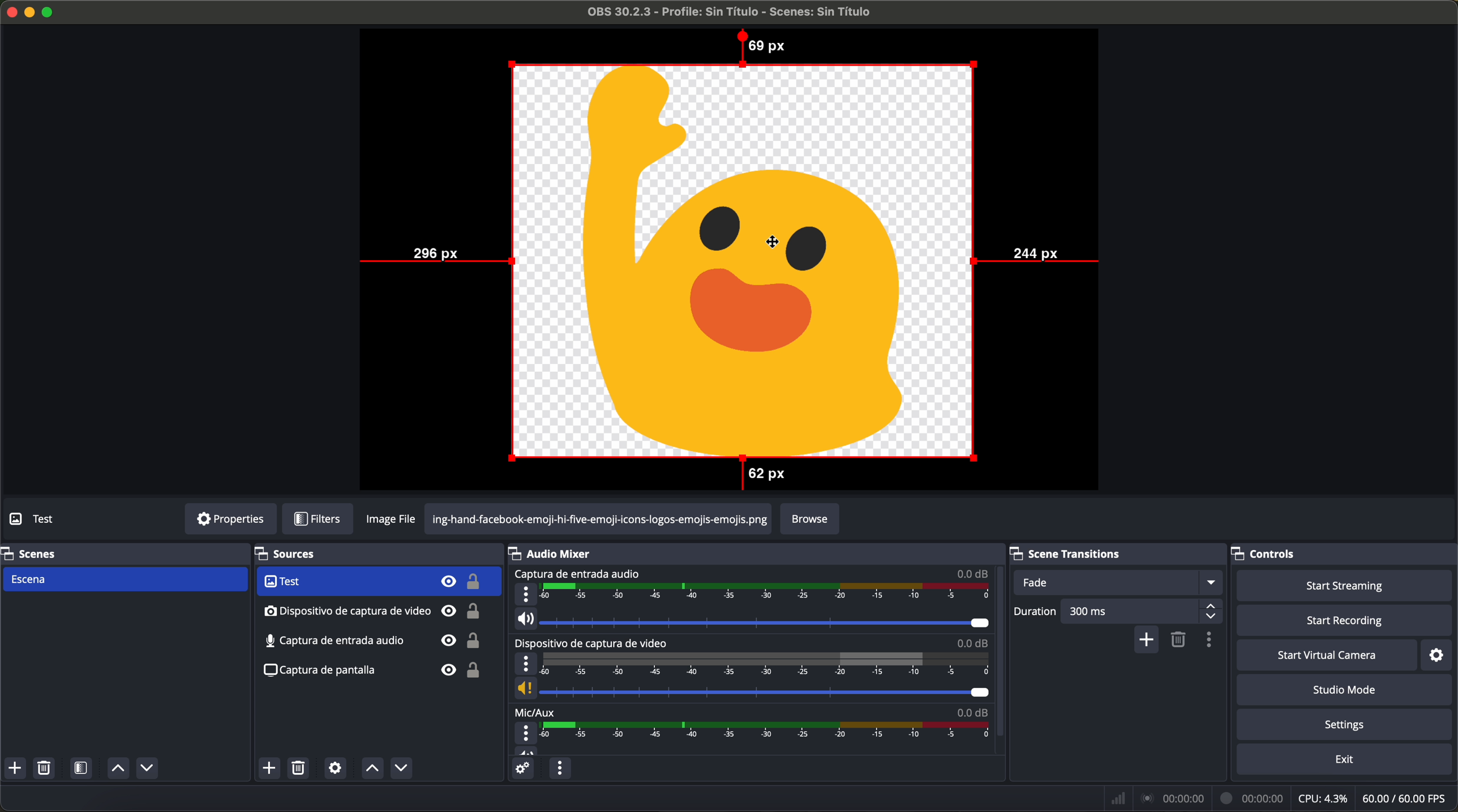 The width and height of the screenshot is (1458, 812). I want to click on vol, so click(751, 689).